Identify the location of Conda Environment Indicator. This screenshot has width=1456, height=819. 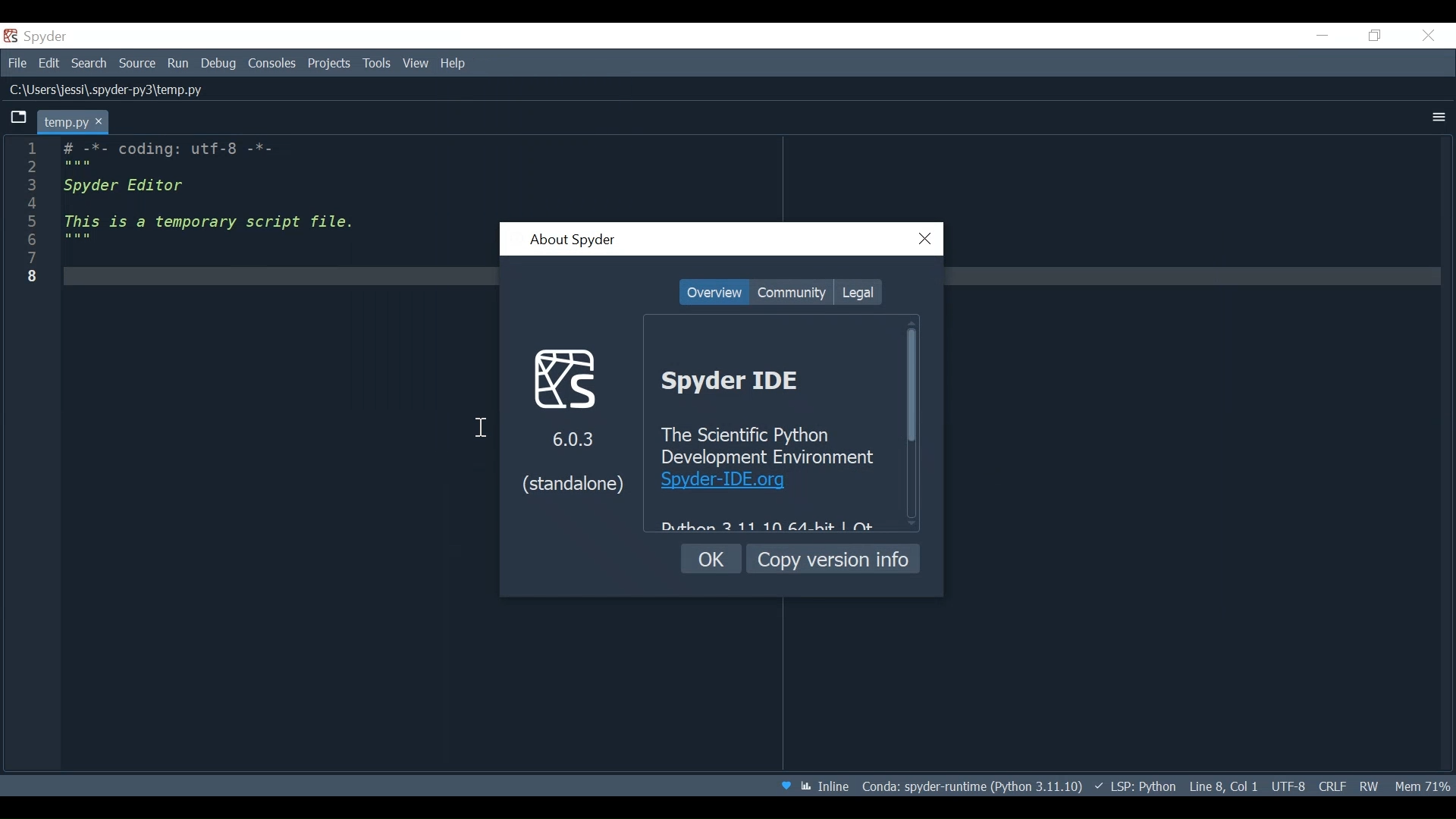
(976, 786).